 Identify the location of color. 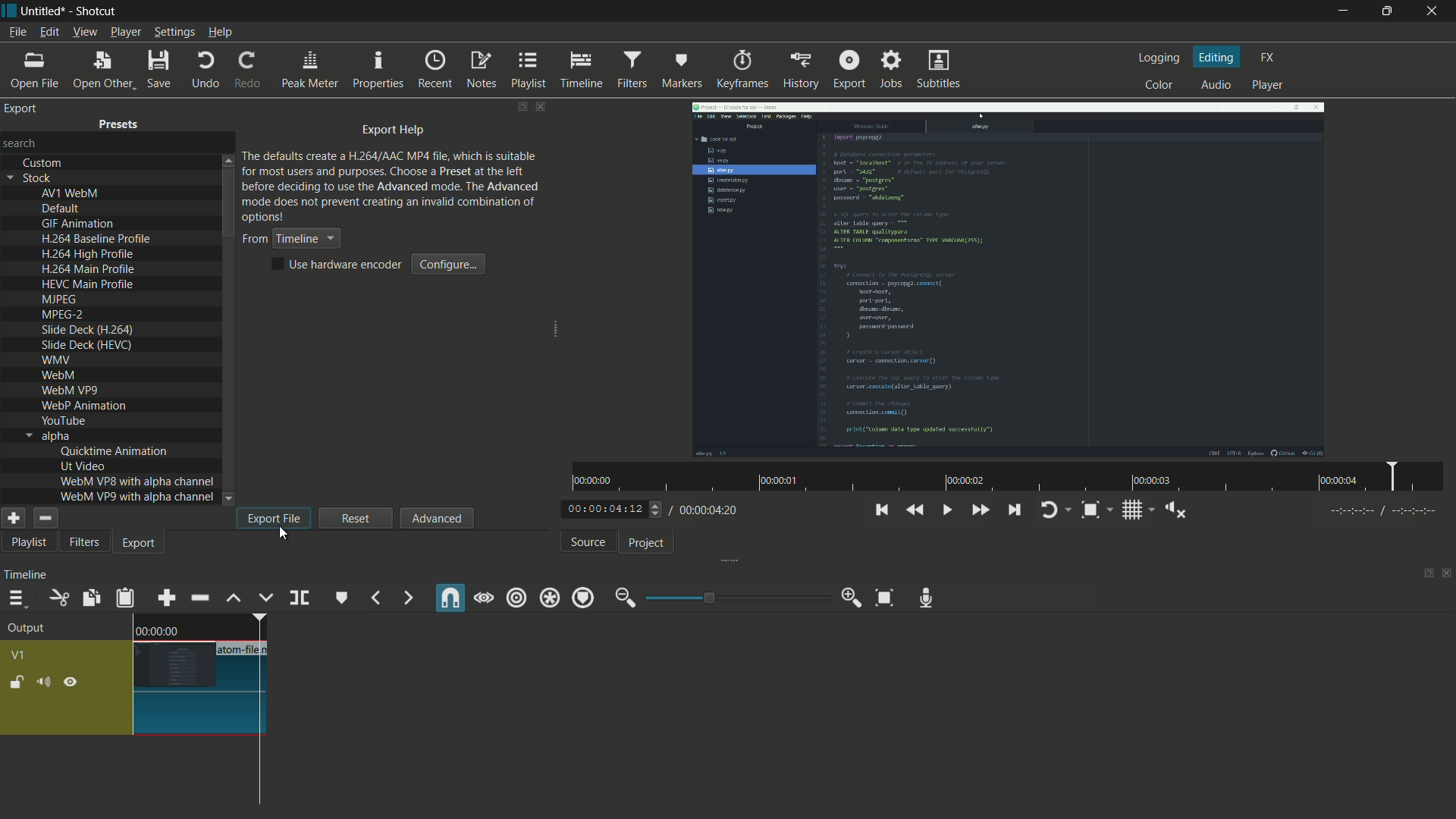
(1157, 86).